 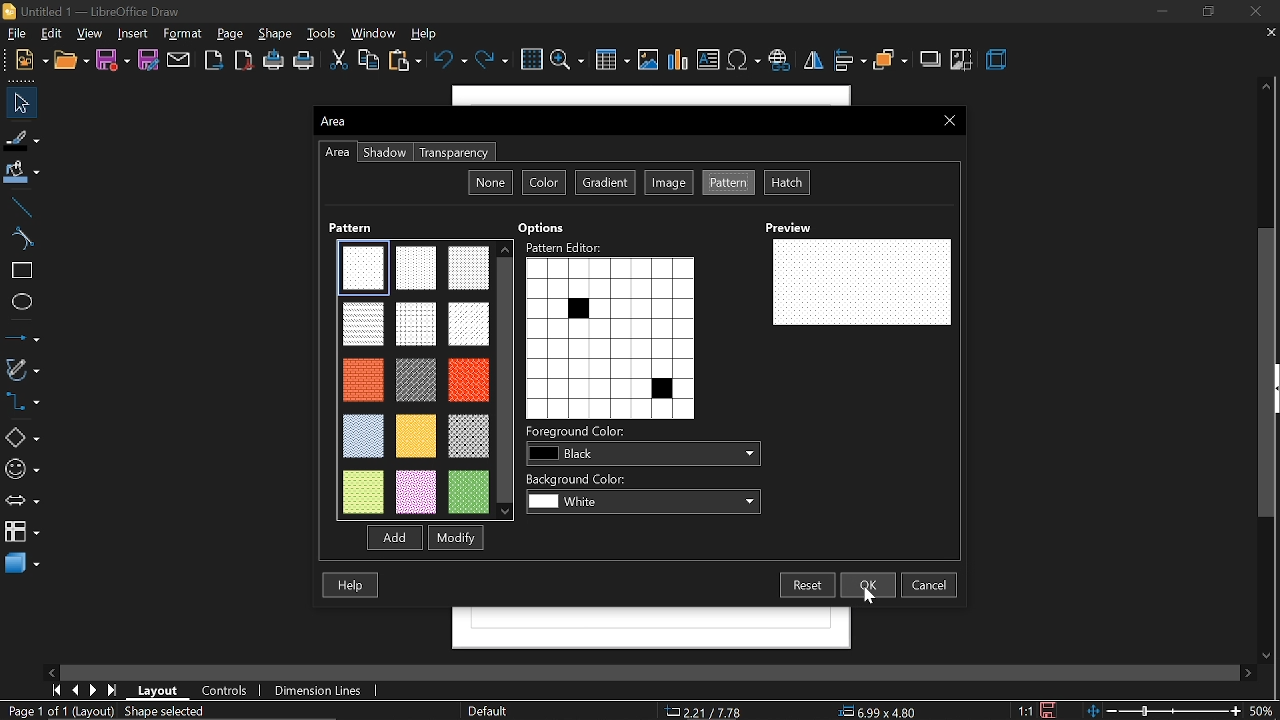 I want to click on move down, so click(x=1270, y=653).